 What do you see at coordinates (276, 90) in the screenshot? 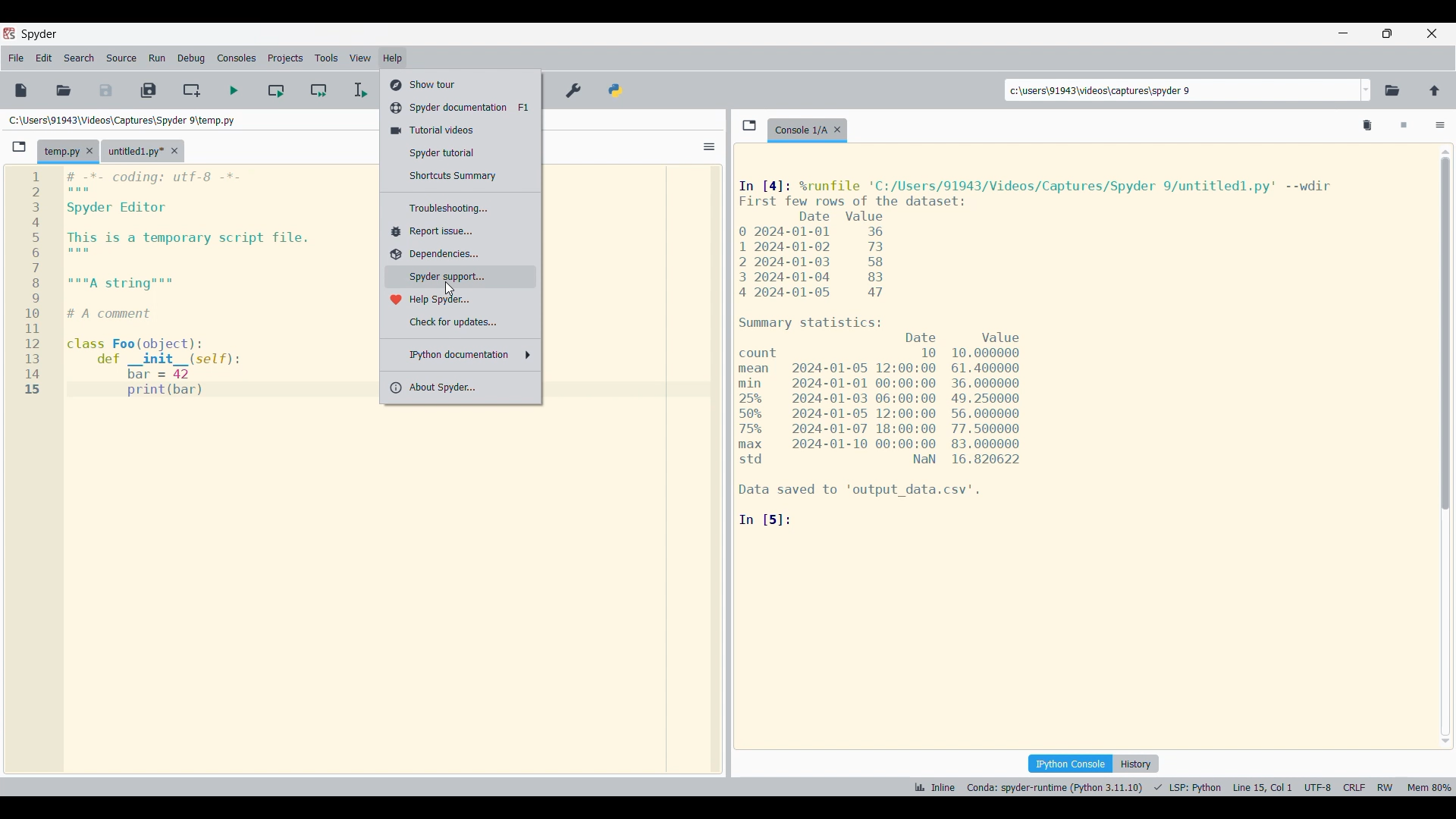
I see `Run current cell` at bounding box center [276, 90].